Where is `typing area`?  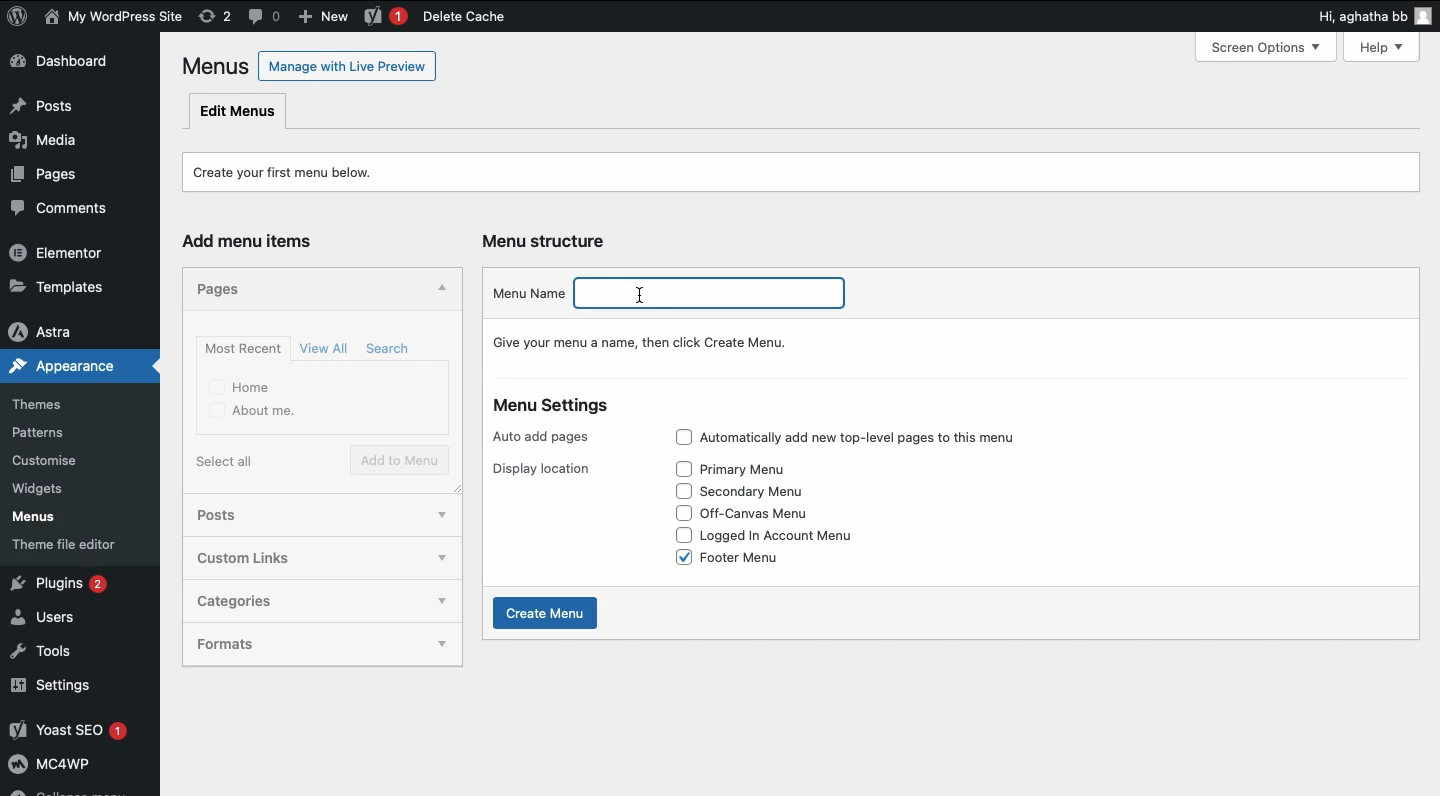
typing area is located at coordinates (719, 291).